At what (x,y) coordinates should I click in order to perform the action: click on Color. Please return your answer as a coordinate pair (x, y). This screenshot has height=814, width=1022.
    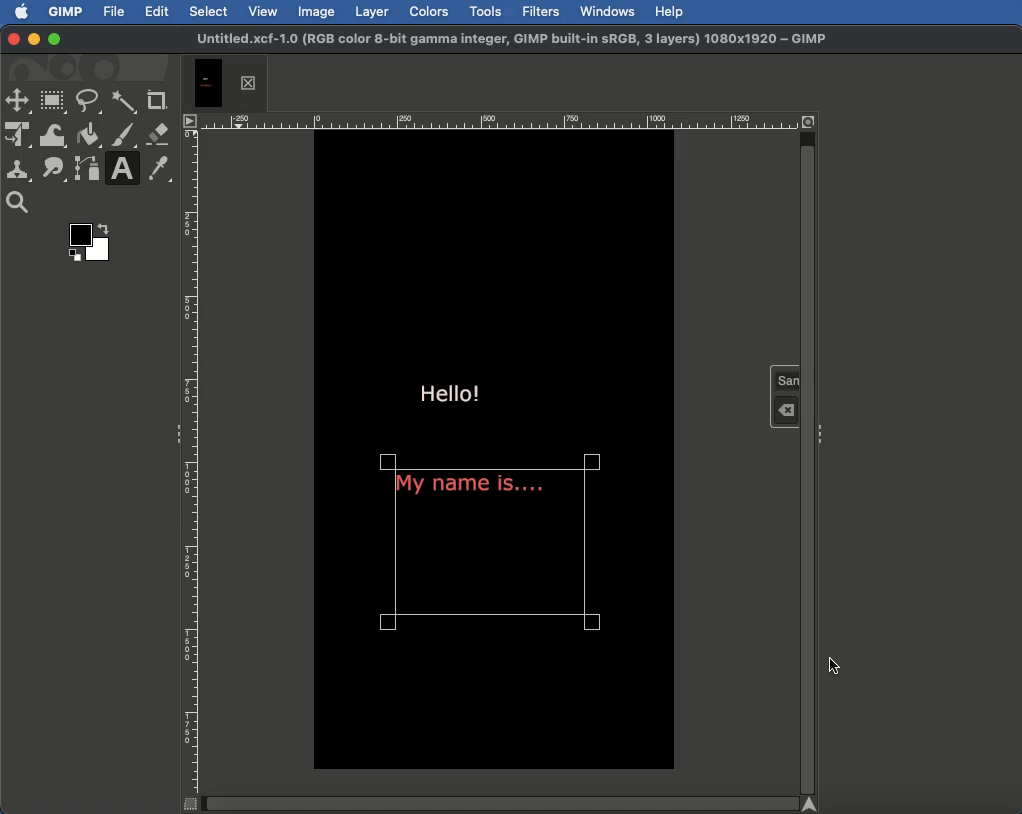
    Looking at the image, I should click on (88, 242).